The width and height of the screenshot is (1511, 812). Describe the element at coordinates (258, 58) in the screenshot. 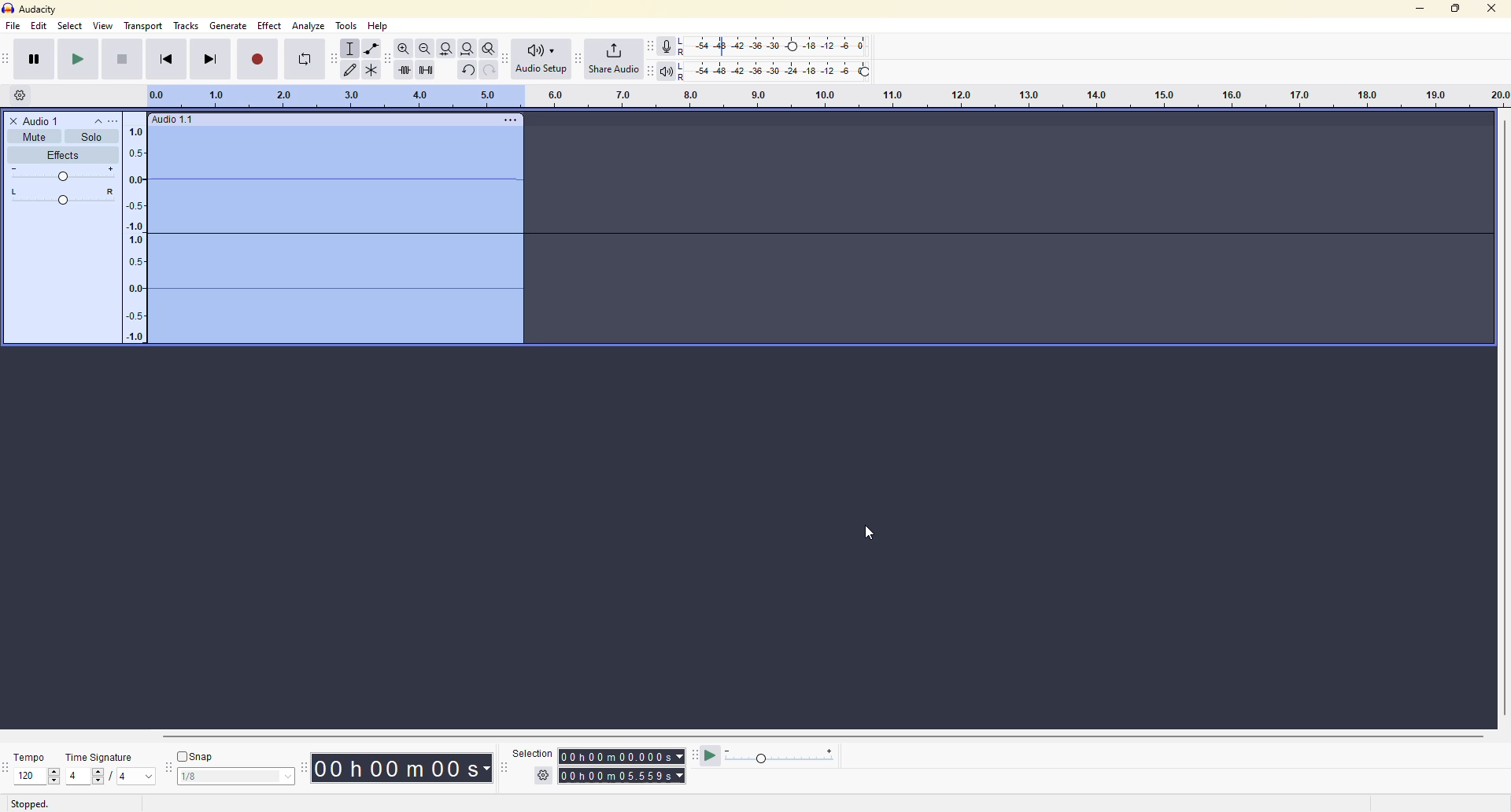

I see `record` at that location.